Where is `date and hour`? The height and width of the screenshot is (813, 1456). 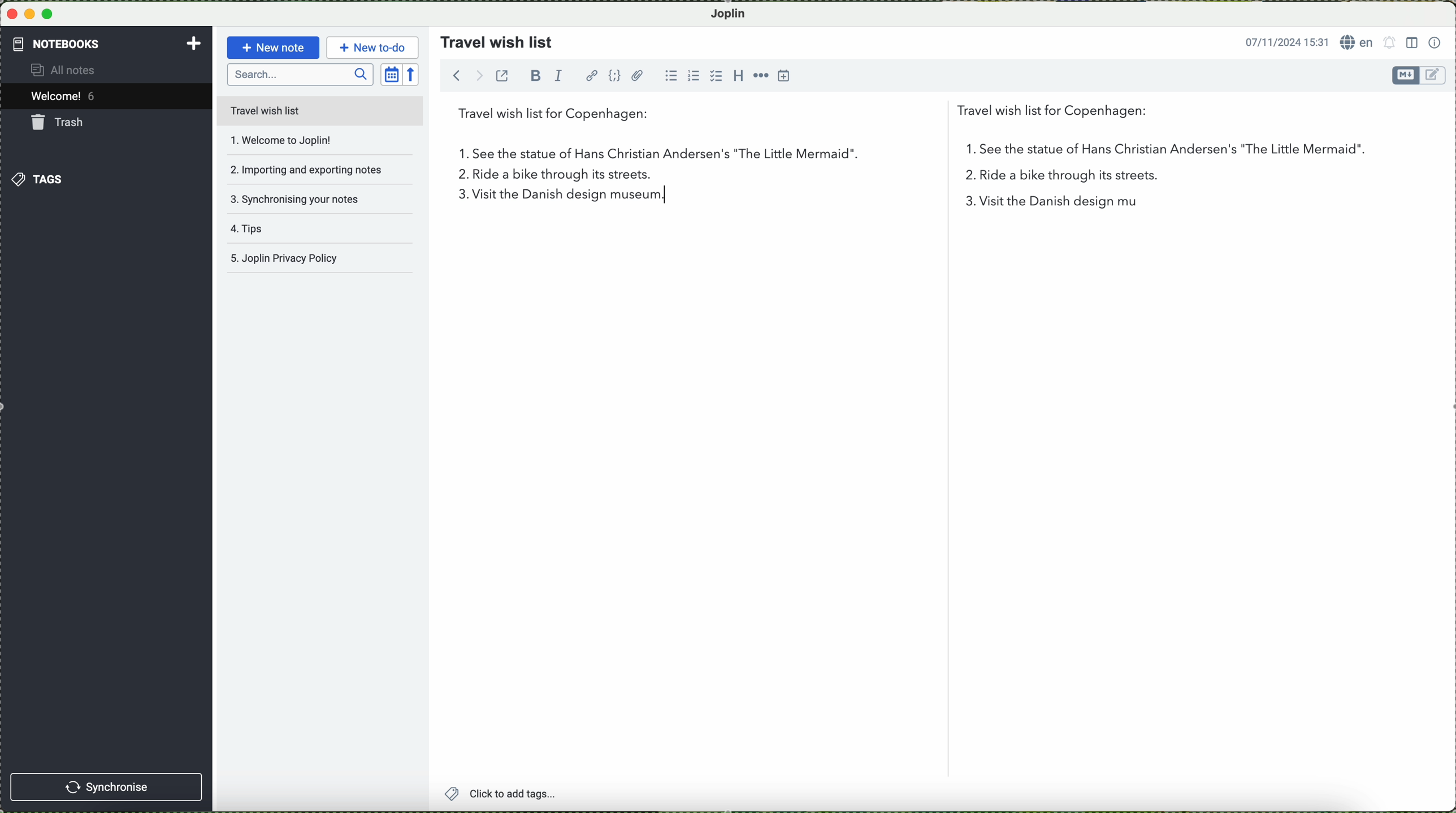
date and hour is located at coordinates (1283, 41).